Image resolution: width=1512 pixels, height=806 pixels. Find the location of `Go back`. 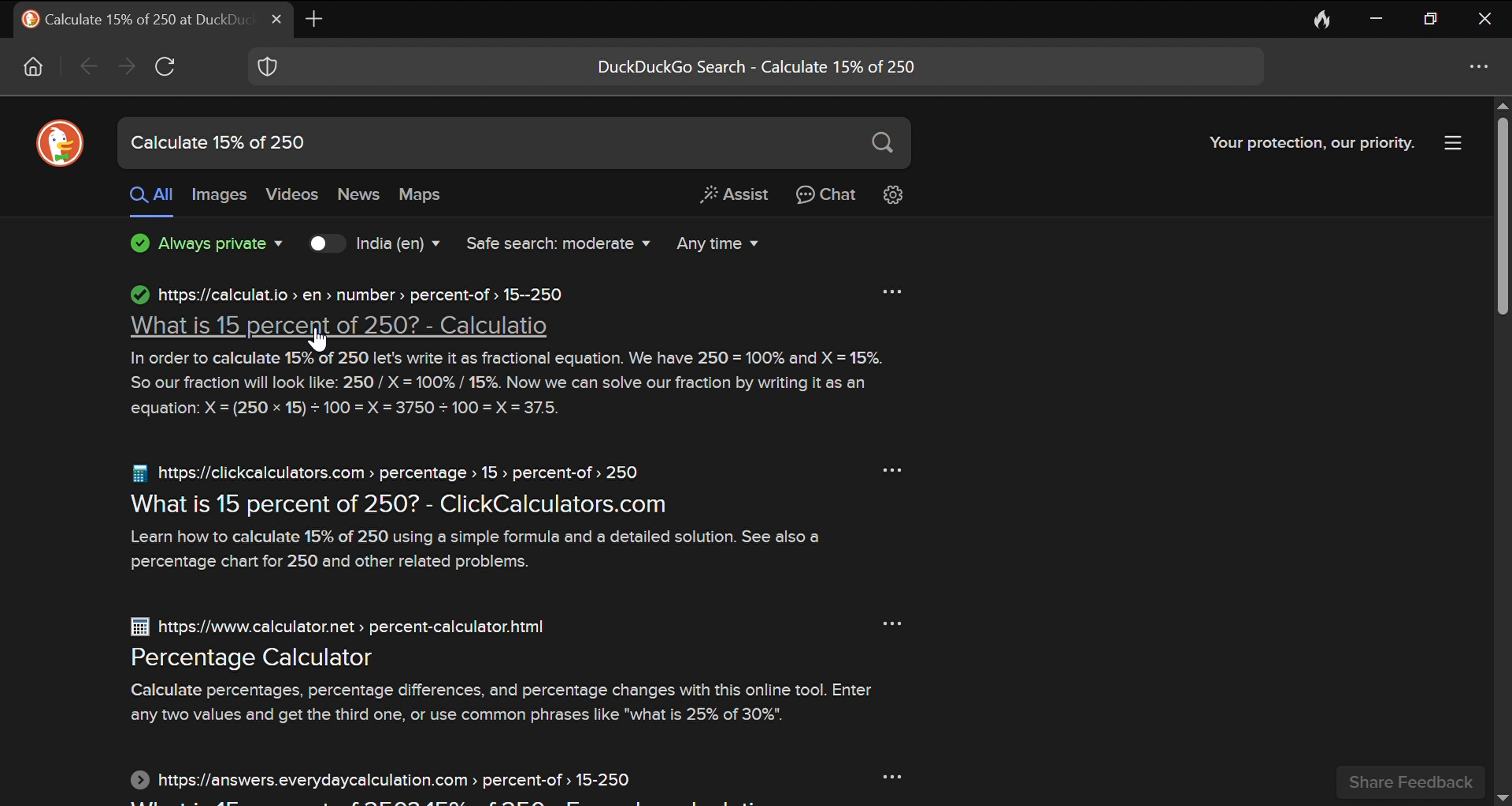

Go back is located at coordinates (86, 65).